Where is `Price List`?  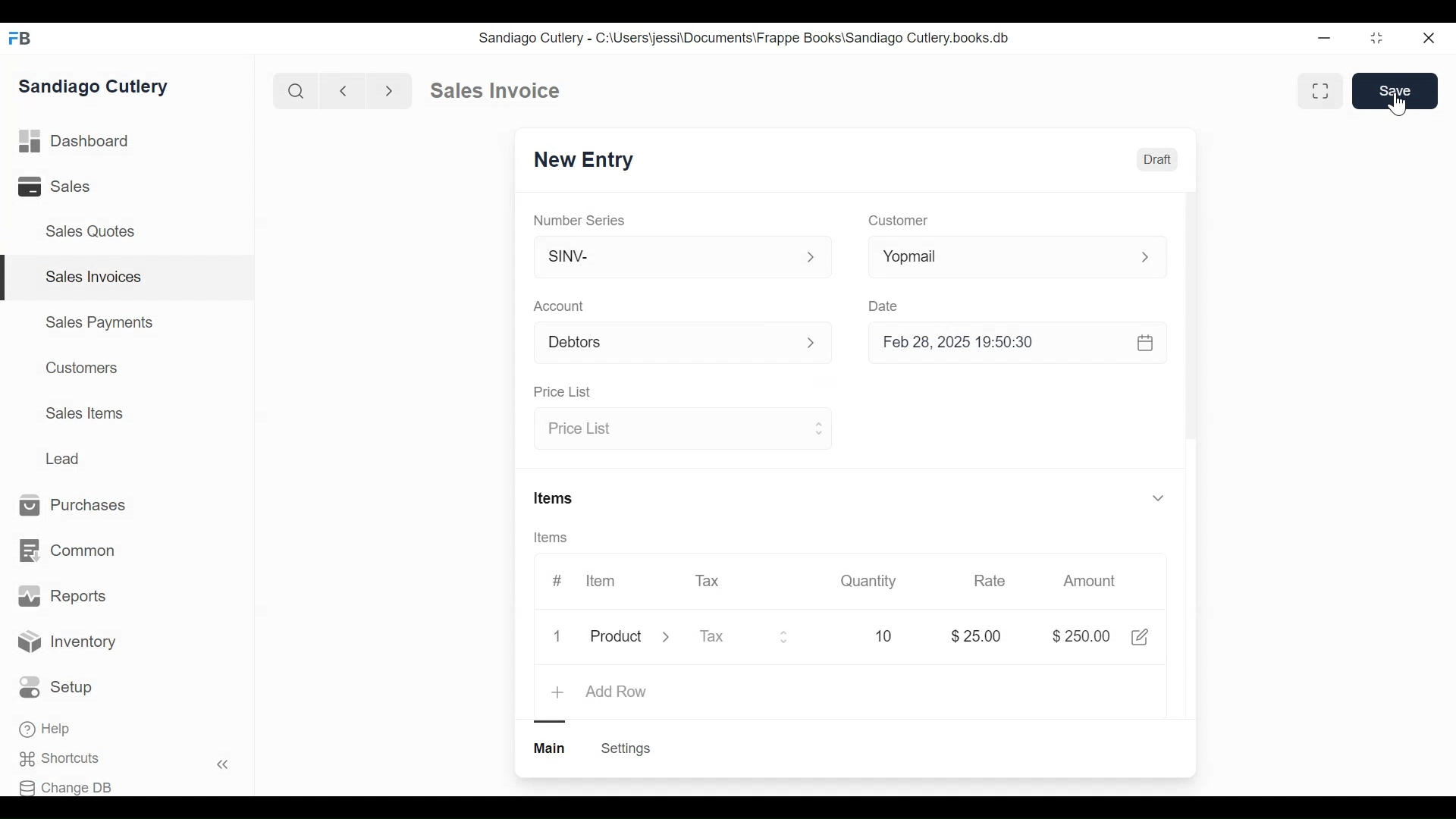
Price List is located at coordinates (566, 392).